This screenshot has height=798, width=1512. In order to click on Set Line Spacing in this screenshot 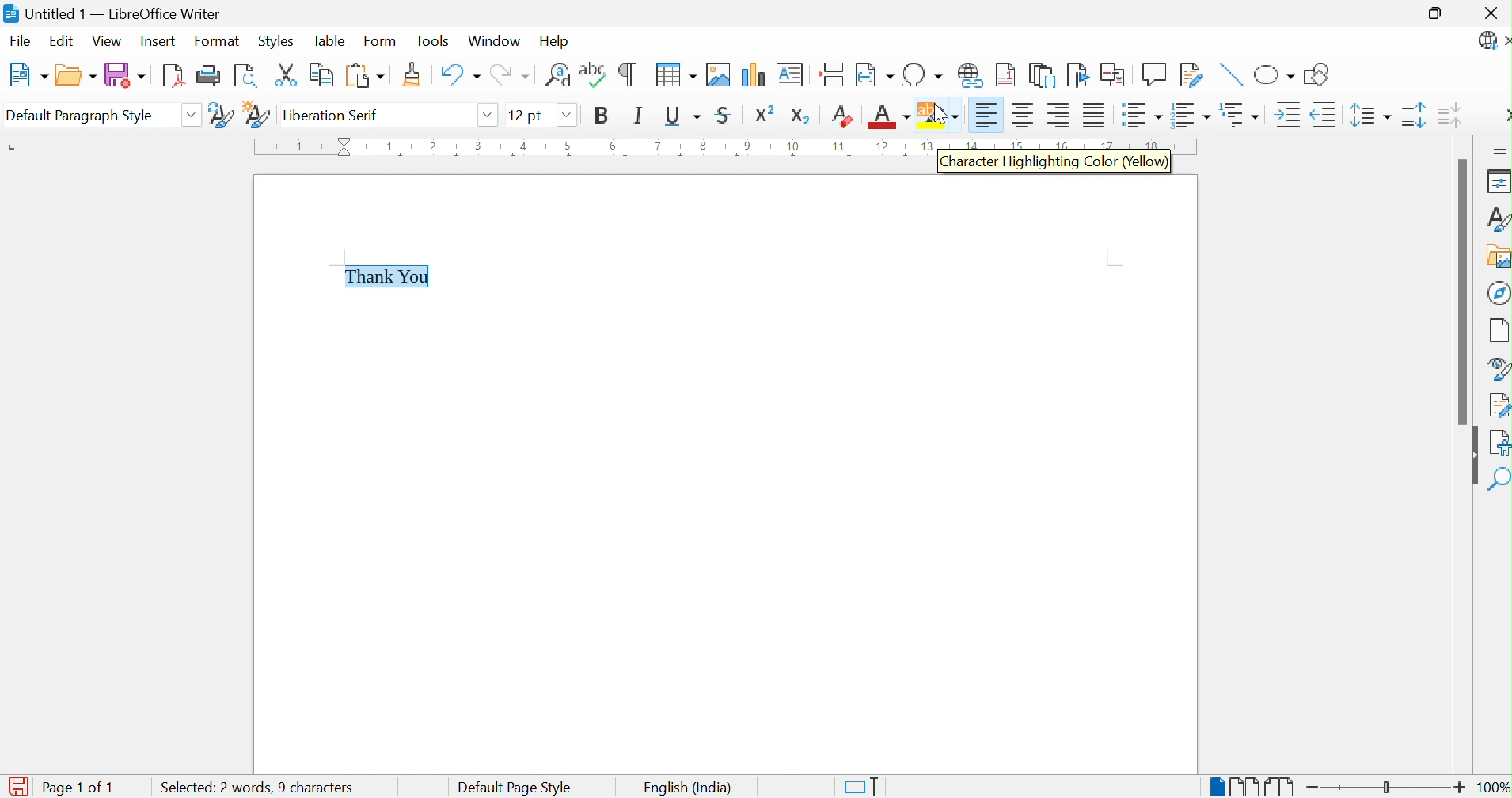, I will do `click(1370, 117)`.